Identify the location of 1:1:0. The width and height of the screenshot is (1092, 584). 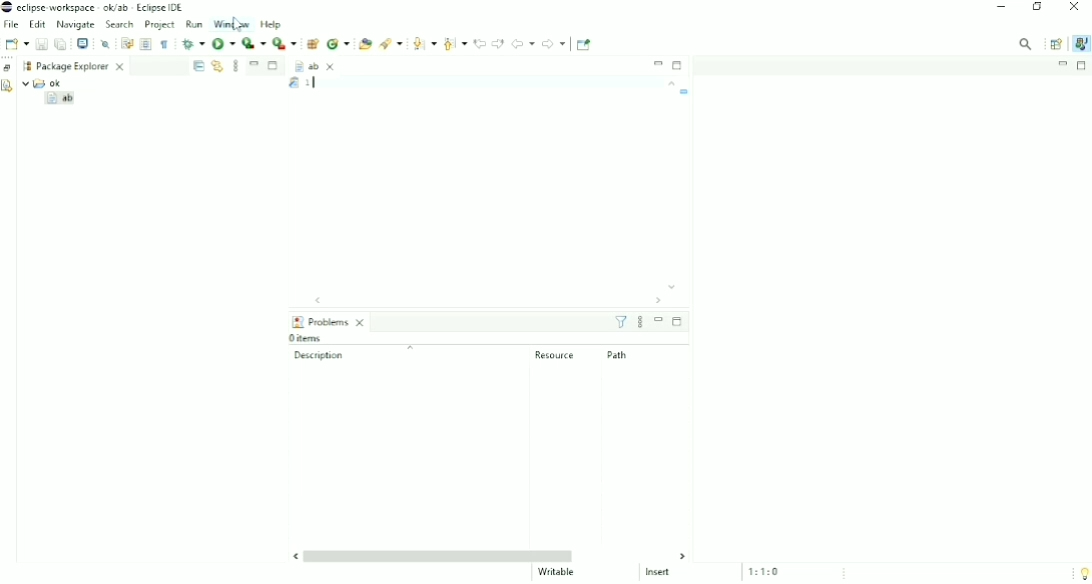
(770, 571).